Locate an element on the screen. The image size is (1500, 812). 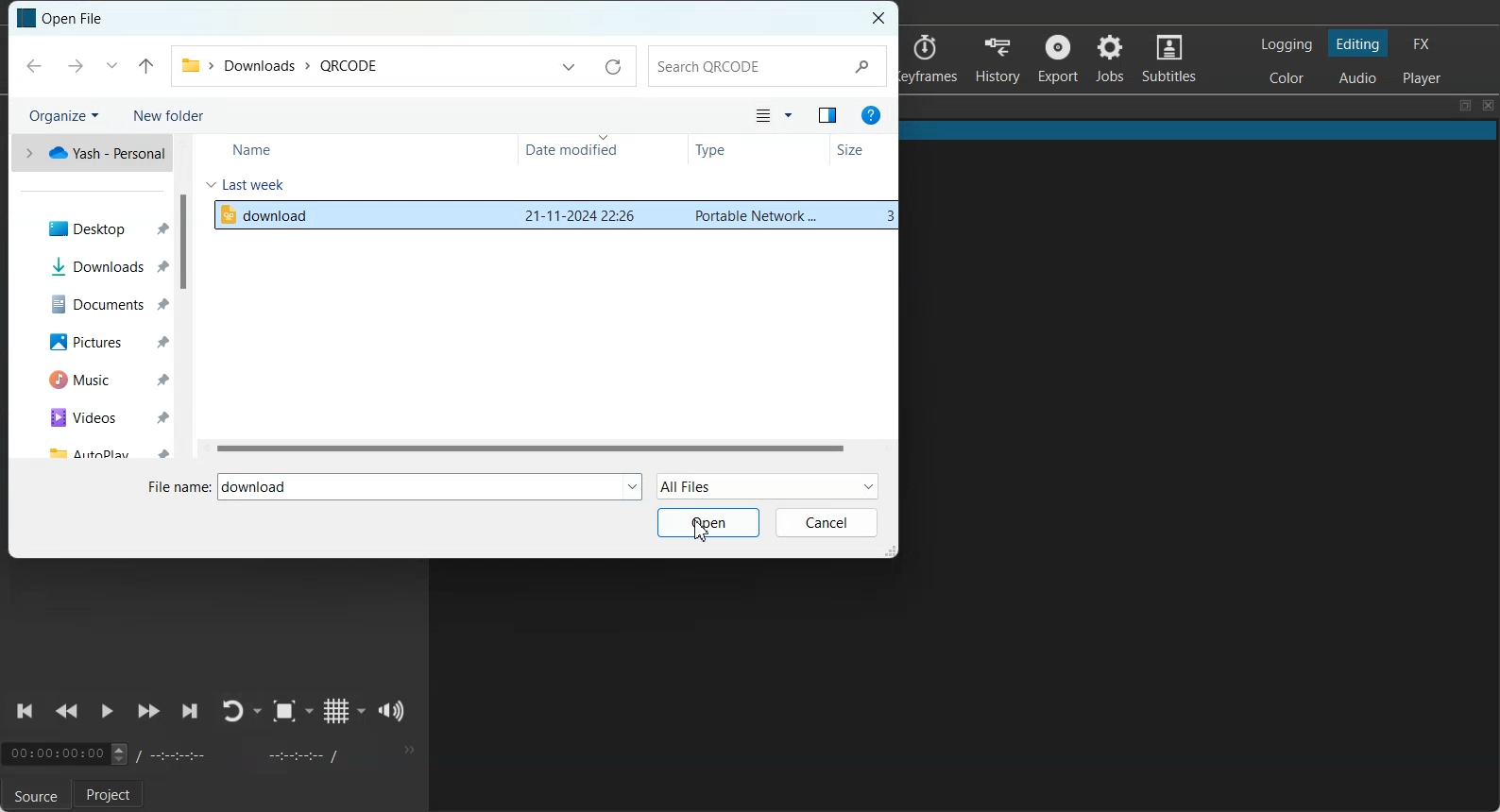
type is located at coordinates (758, 216).